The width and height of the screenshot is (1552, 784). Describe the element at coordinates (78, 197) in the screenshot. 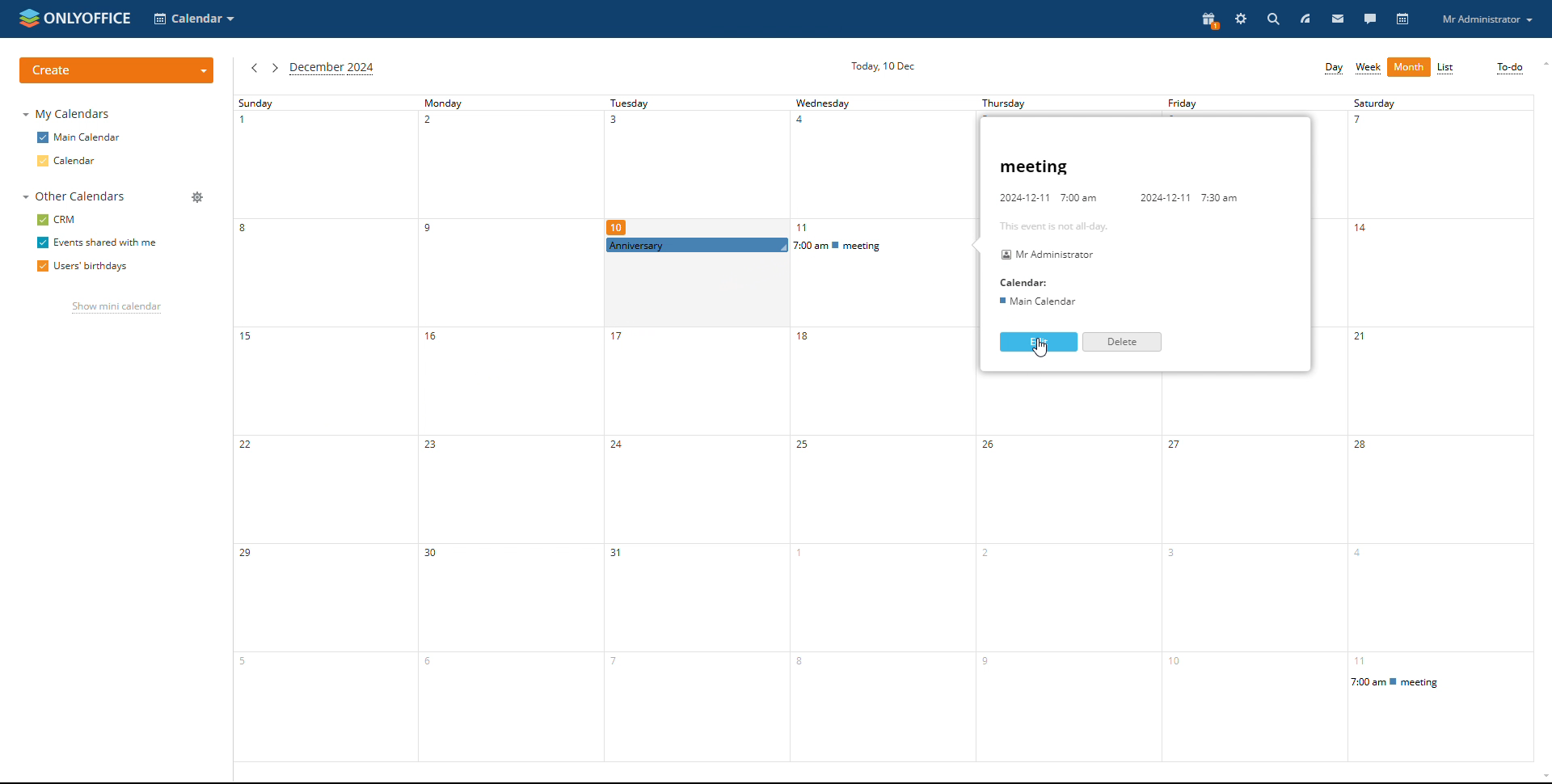

I see `other calendars` at that location.